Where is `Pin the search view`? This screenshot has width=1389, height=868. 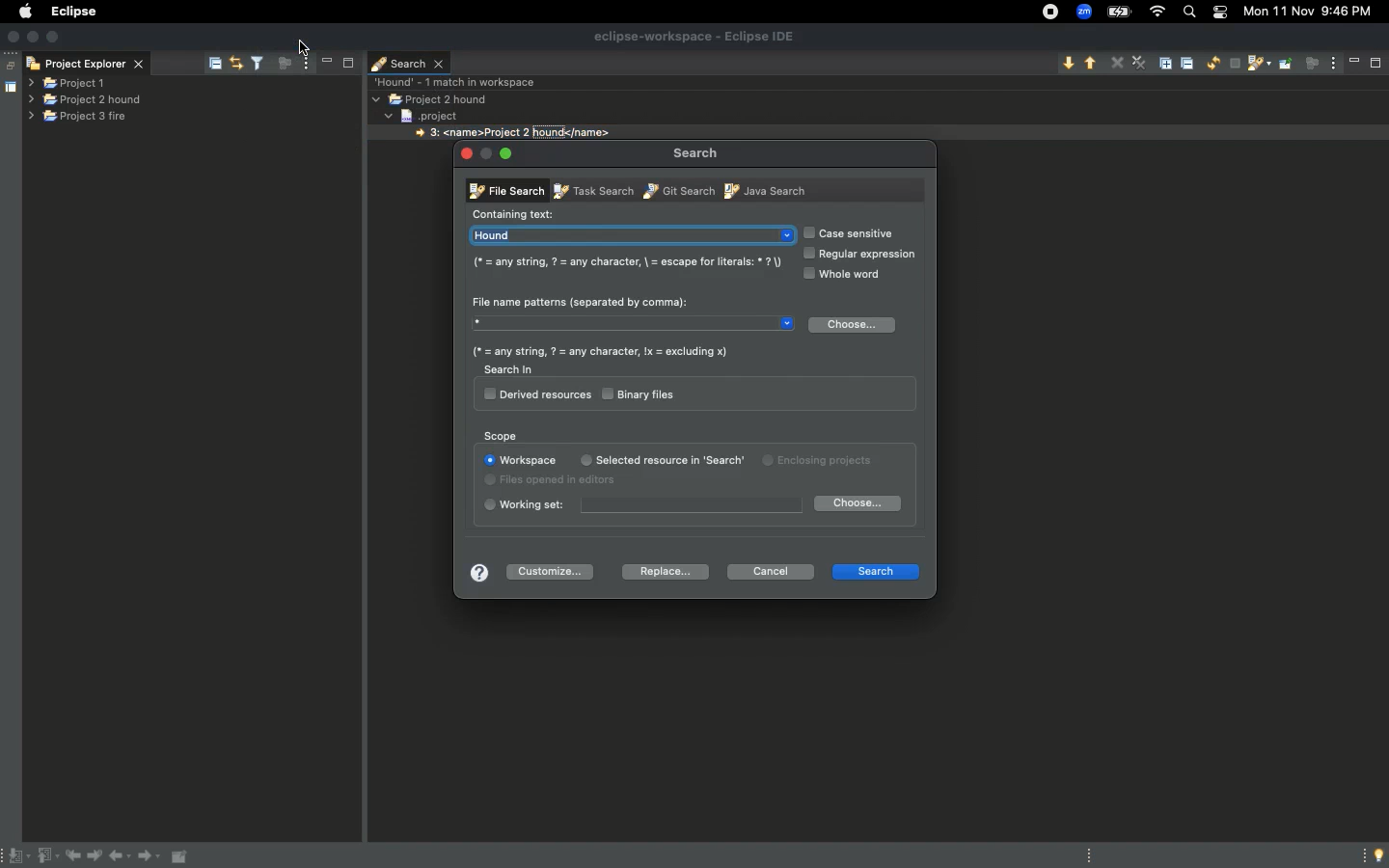
Pin the search view is located at coordinates (1286, 70).